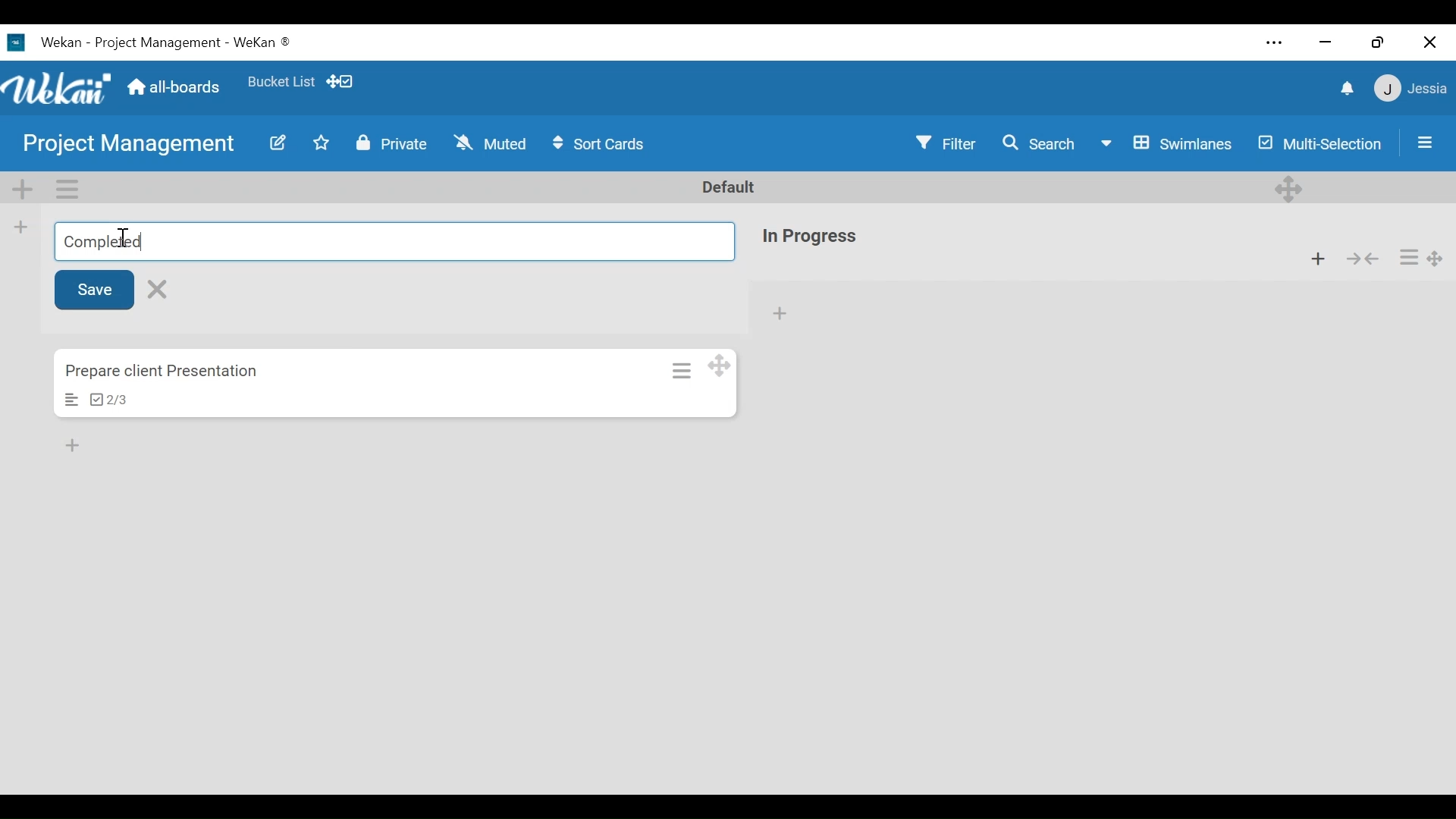 The width and height of the screenshot is (1456, 819). I want to click on Cancel, so click(161, 288).